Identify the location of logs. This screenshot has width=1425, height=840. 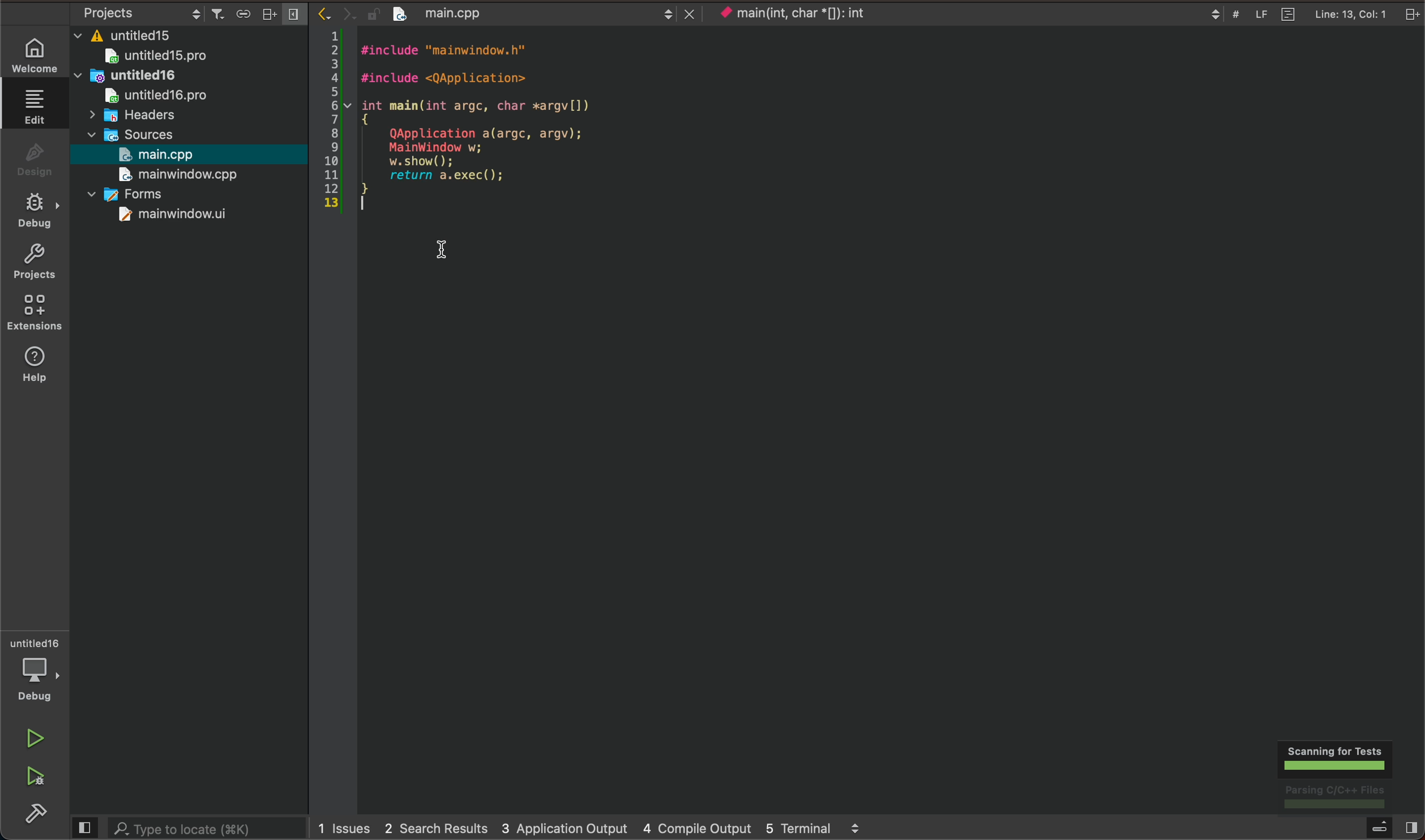
(595, 826).